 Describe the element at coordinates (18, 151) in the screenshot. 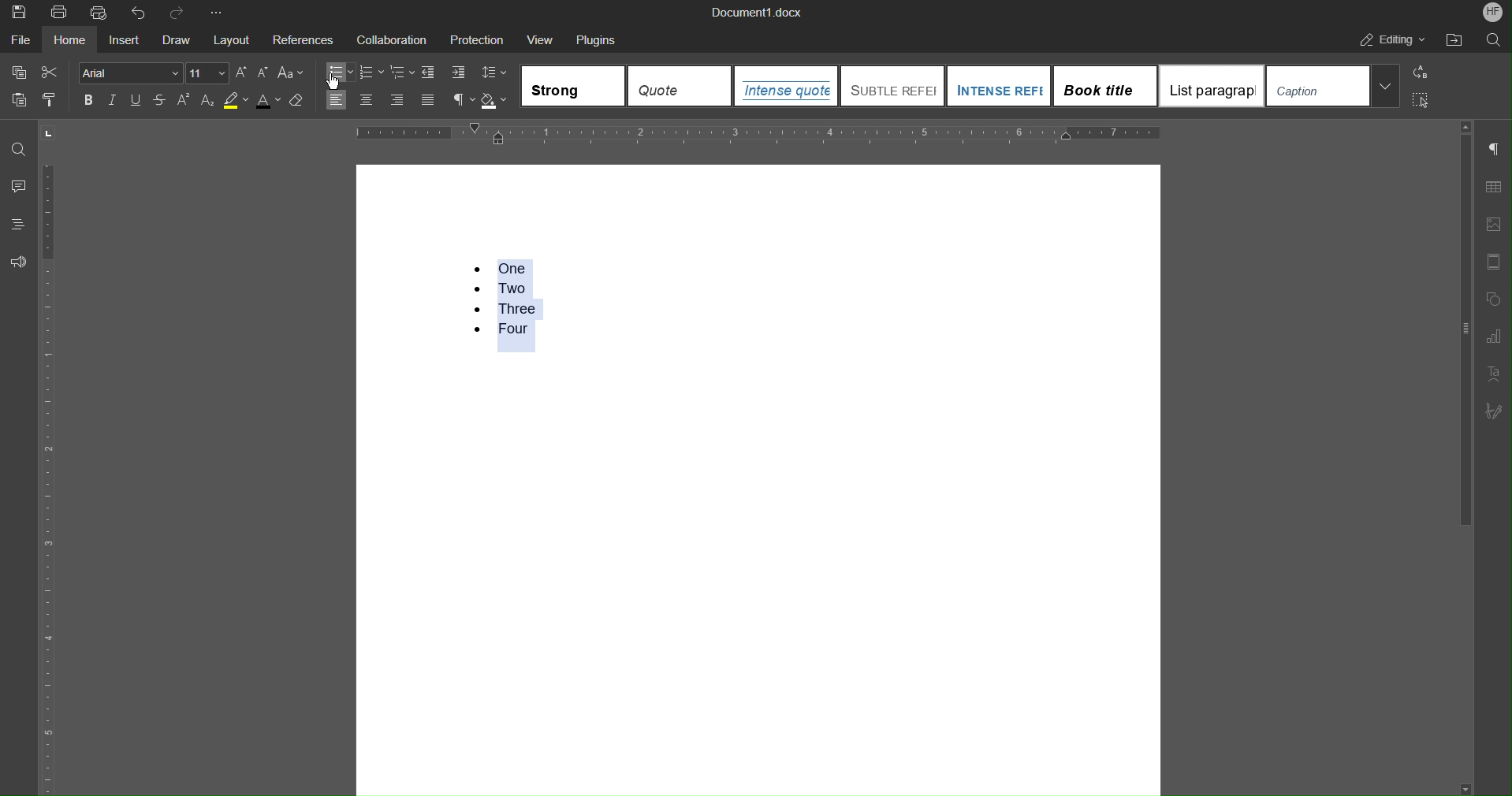

I see `Find` at that location.